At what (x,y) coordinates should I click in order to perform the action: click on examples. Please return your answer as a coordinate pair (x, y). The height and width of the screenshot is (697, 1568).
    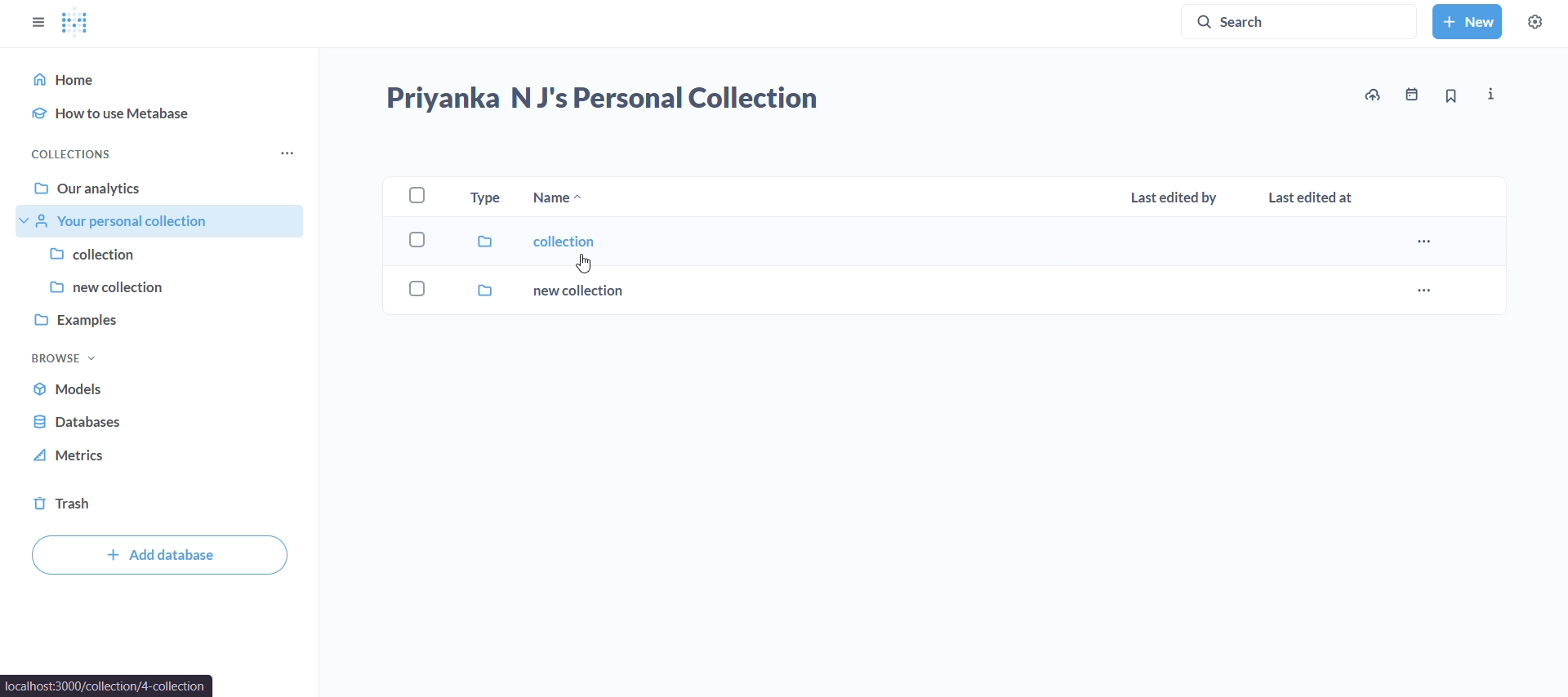
    Looking at the image, I should click on (159, 317).